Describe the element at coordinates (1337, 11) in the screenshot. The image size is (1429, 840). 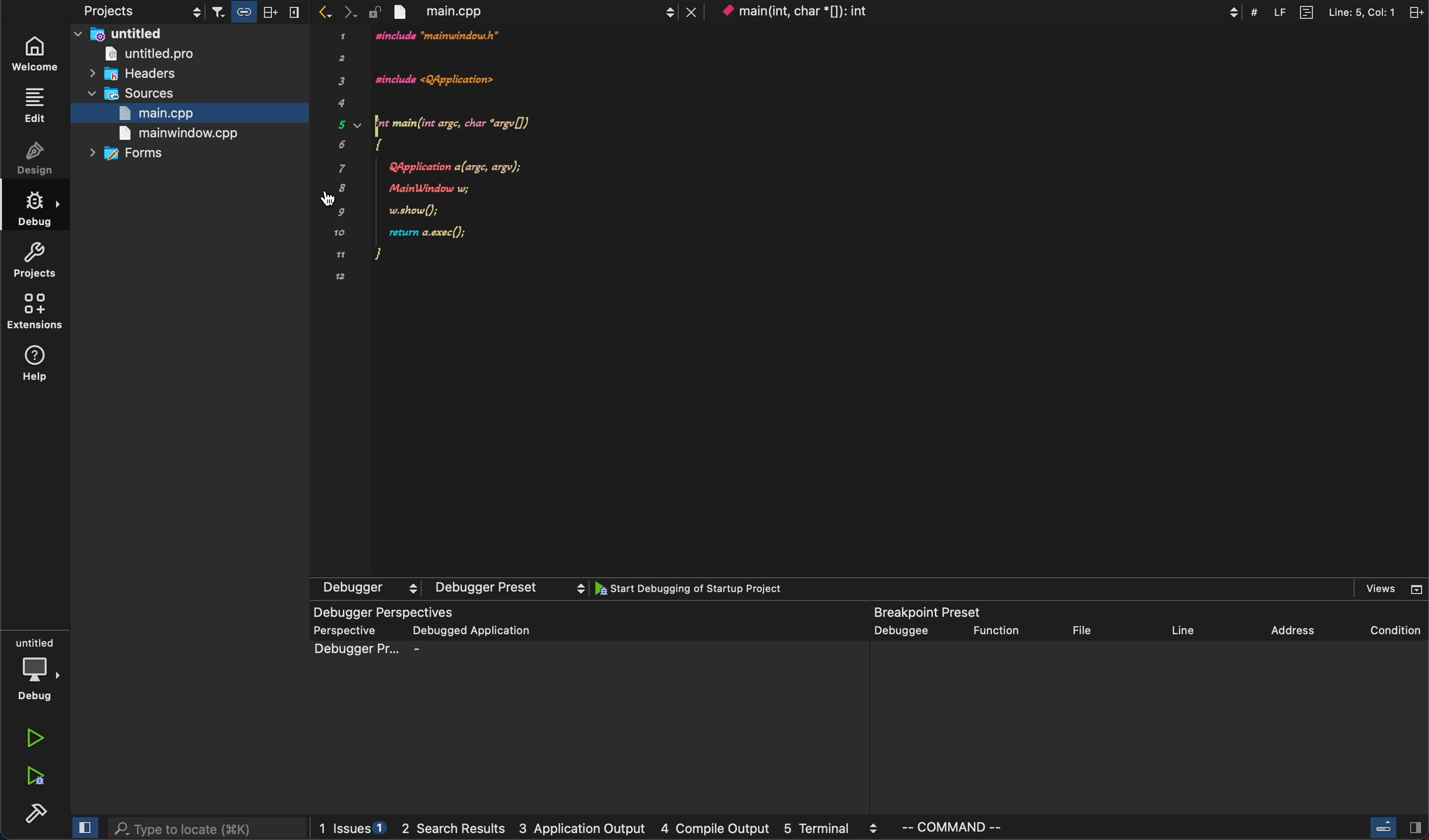
I see `split` at that location.